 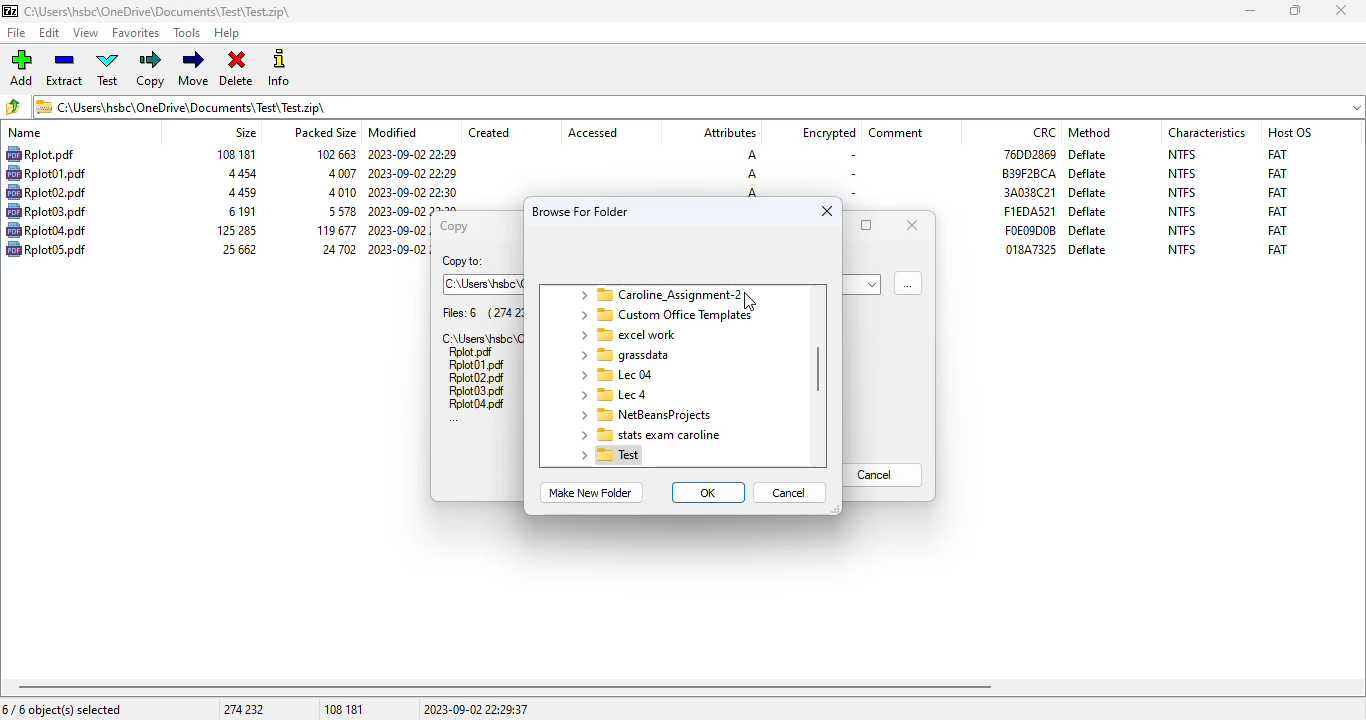 What do you see at coordinates (413, 173) in the screenshot?
I see `modified date & time` at bounding box center [413, 173].